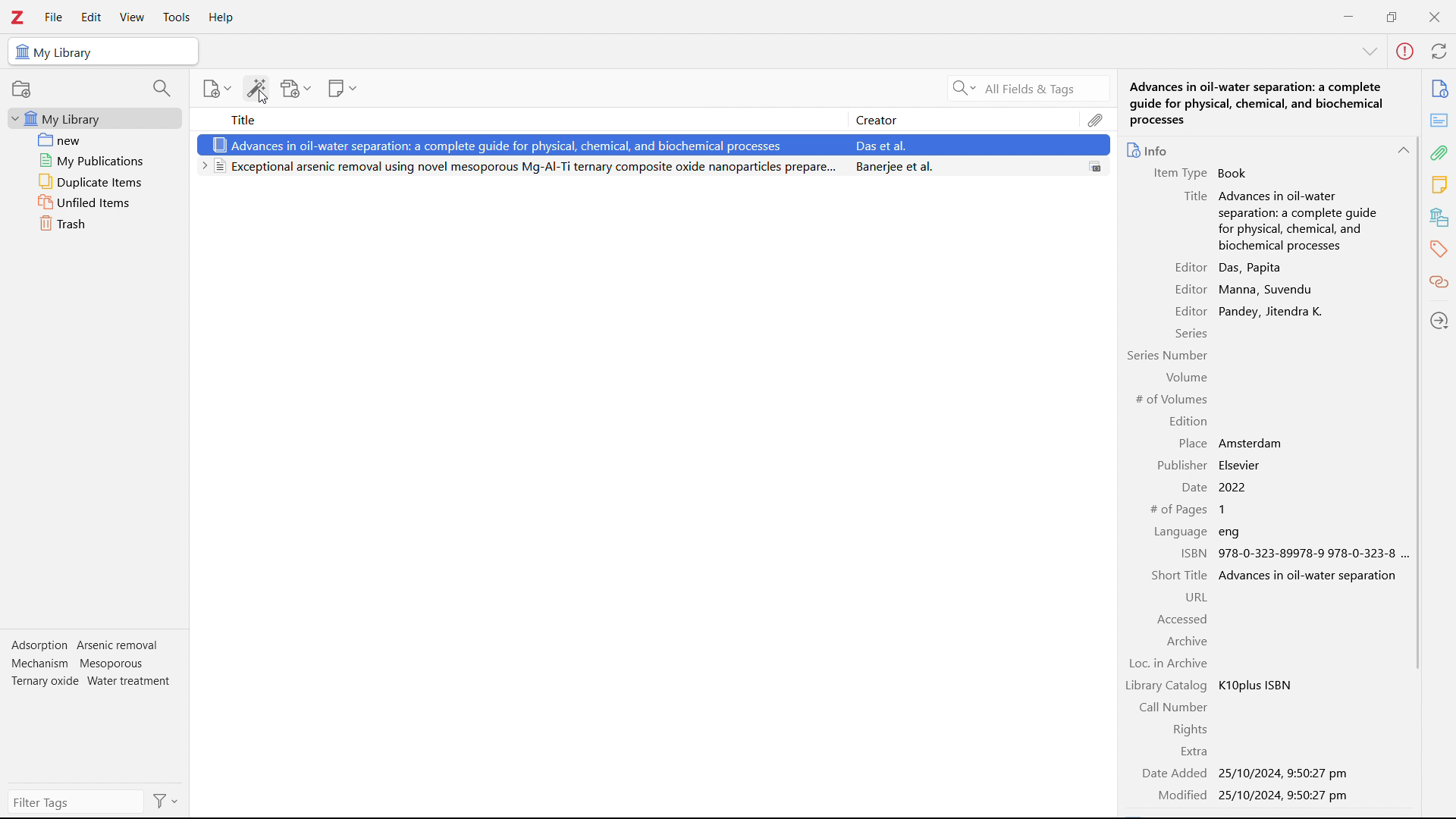  I want to click on Rights, so click(1186, 730).